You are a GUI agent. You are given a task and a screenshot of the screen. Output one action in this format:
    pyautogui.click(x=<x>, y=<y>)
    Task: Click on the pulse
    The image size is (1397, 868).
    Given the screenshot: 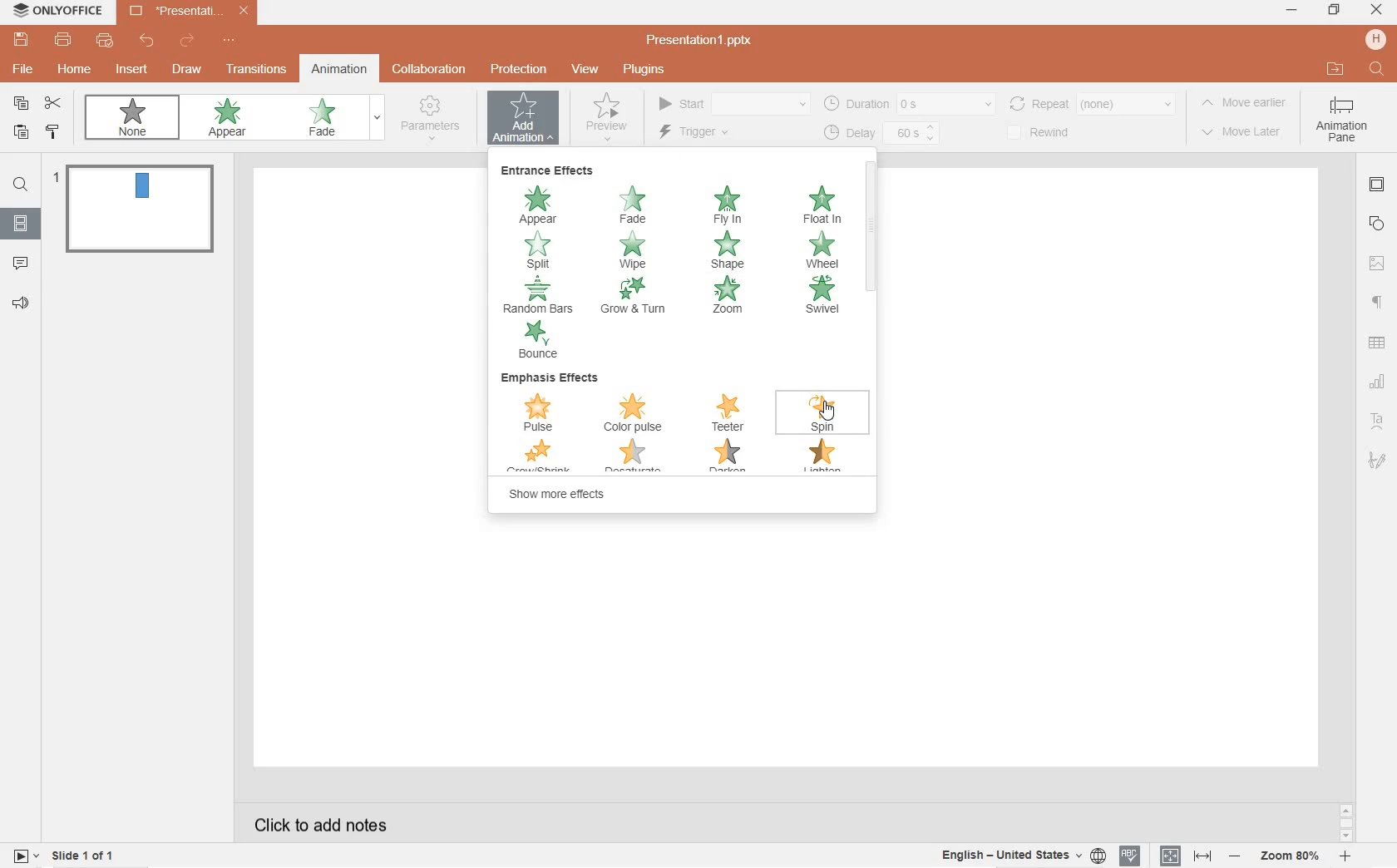 What is the action you would take?
    pyautogui.click(x=540, y=414)
    